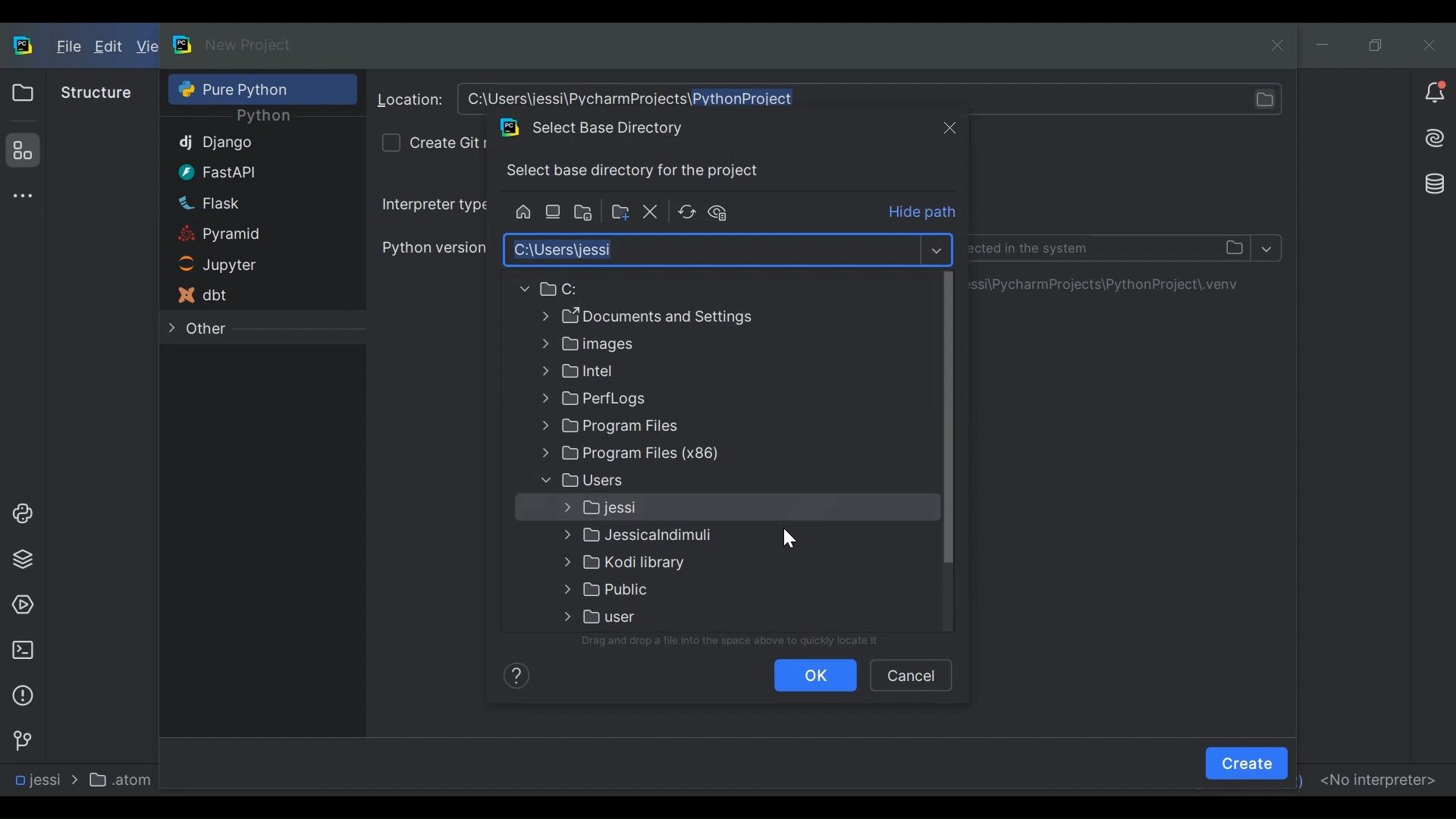  What do you see at coordinates (1325, 45) in the screenshot?
I see `minimize` at bounding box center [1325, 45].